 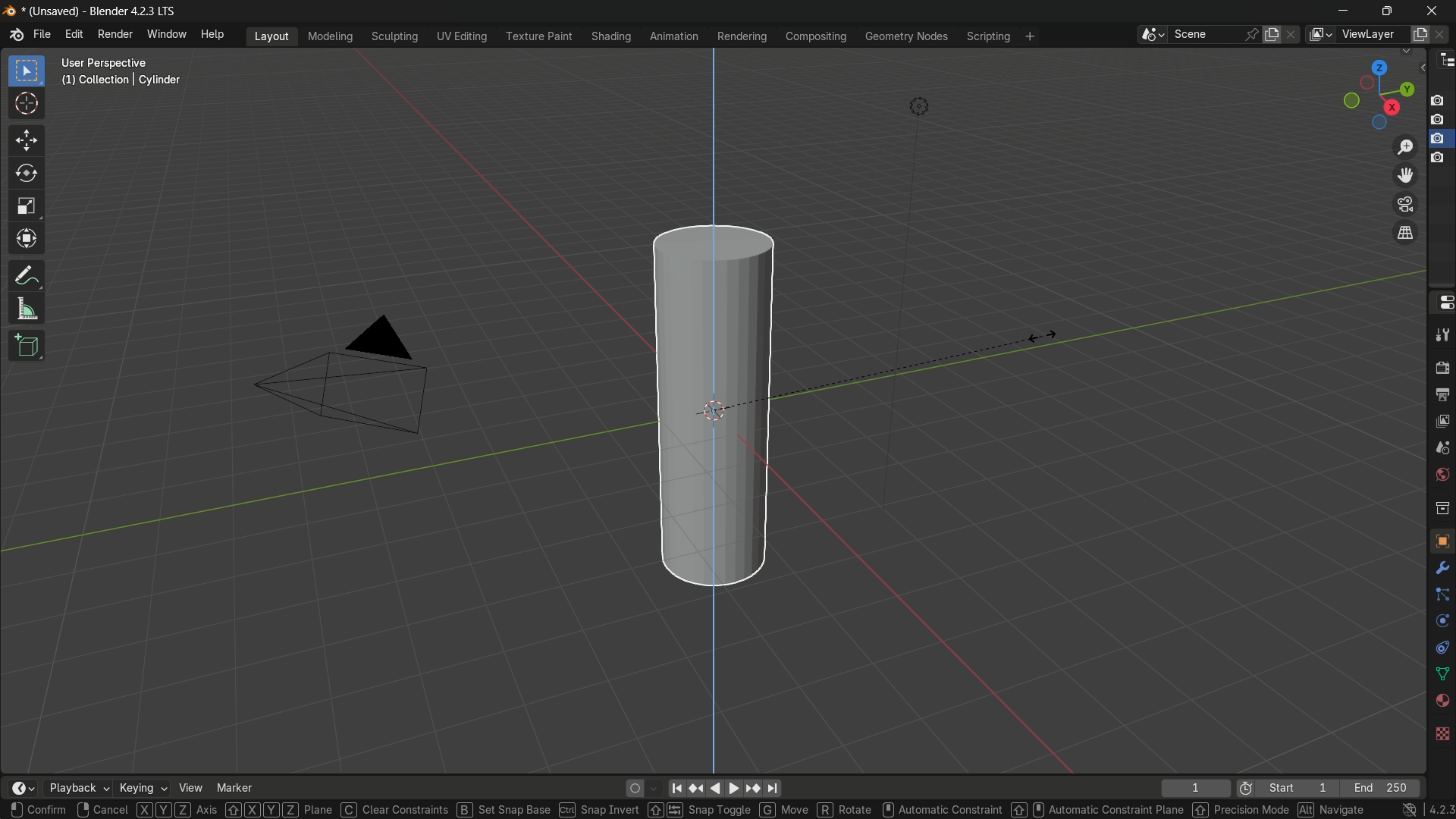 What do you see at coordinates (27, 209) in the screenshot?
I see `scale` at bounding box center [27, 209].